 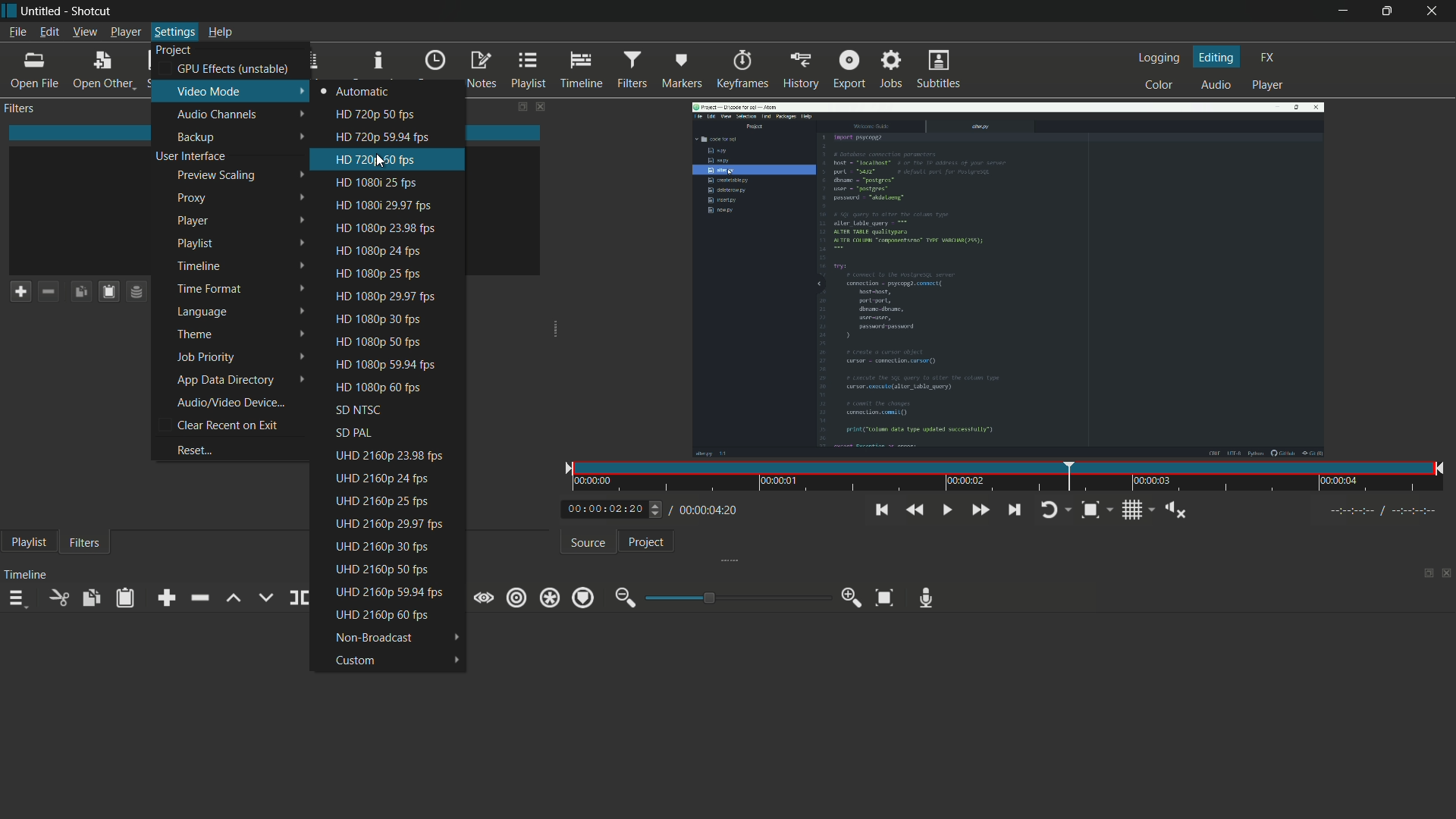 I want to click on file menu, so click(x=17, y=33).